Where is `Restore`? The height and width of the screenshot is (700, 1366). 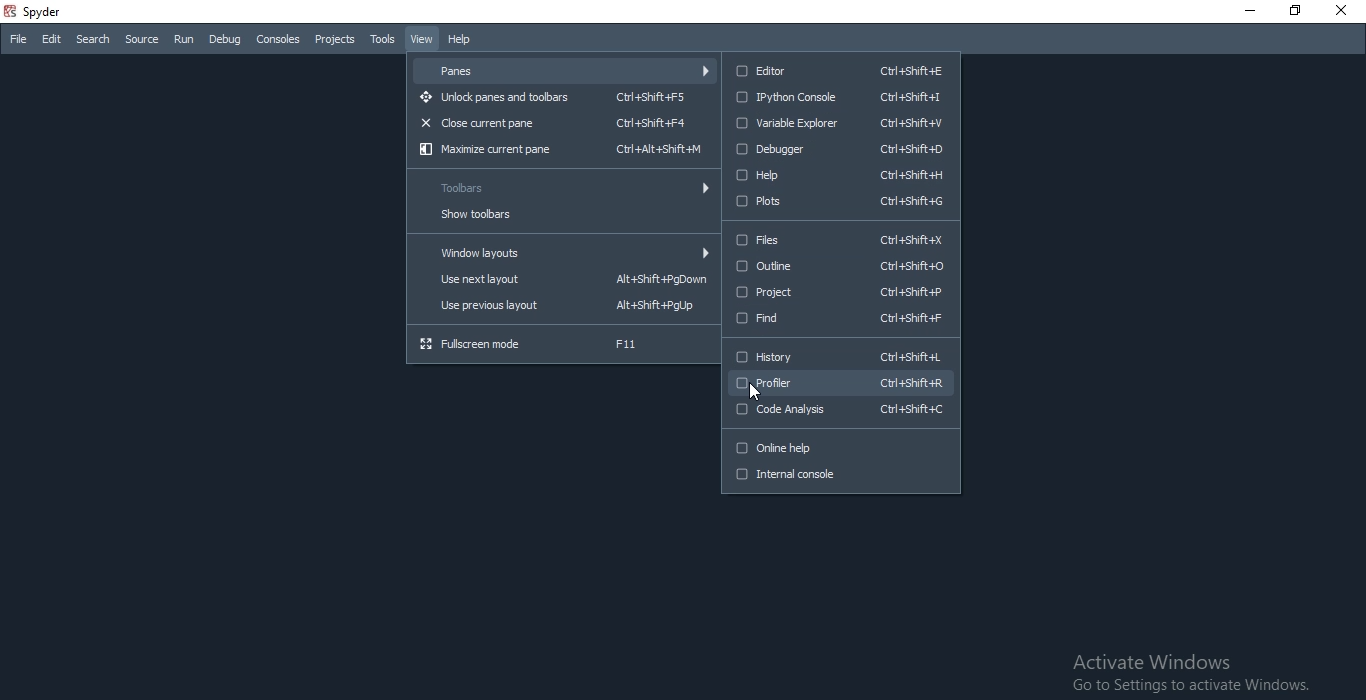 Restore is located at coordinates (1288, 10).